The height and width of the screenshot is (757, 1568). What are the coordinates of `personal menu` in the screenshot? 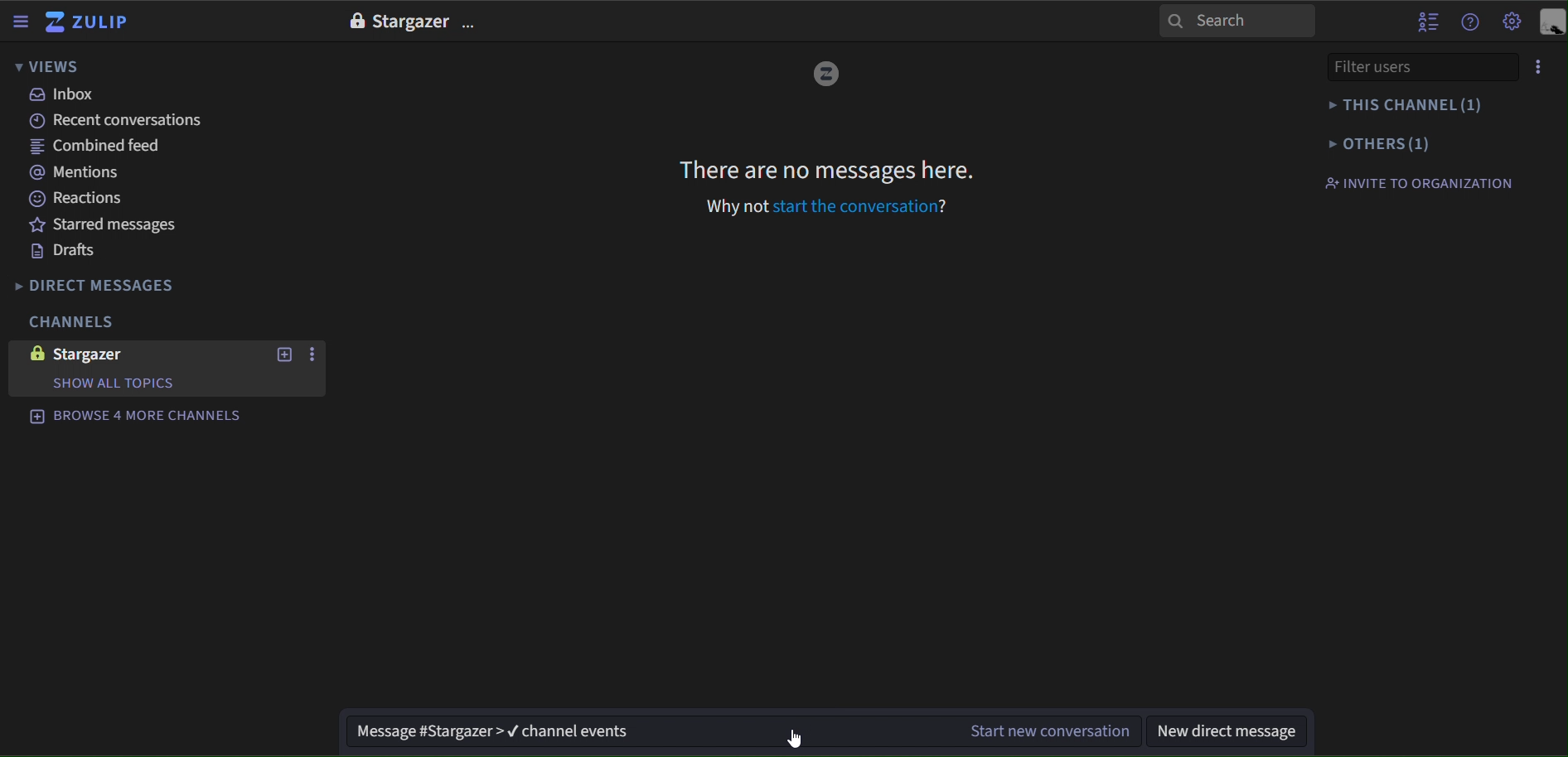 It's located at (1551, 23).